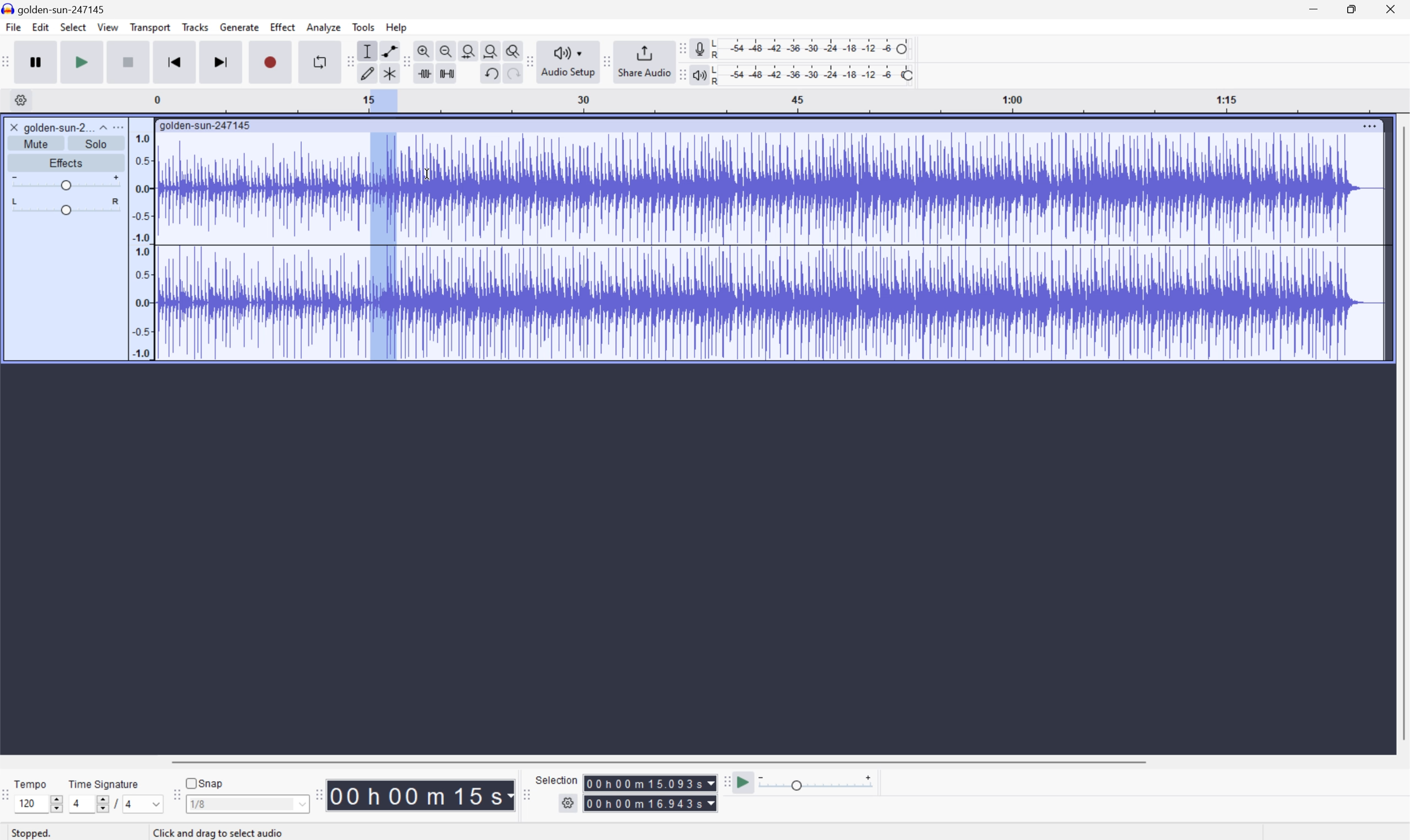  What do you see at coordinates (1401, 434) in the screenshot?
I see `Scroll Bar` at bounding box center [1401, 434].